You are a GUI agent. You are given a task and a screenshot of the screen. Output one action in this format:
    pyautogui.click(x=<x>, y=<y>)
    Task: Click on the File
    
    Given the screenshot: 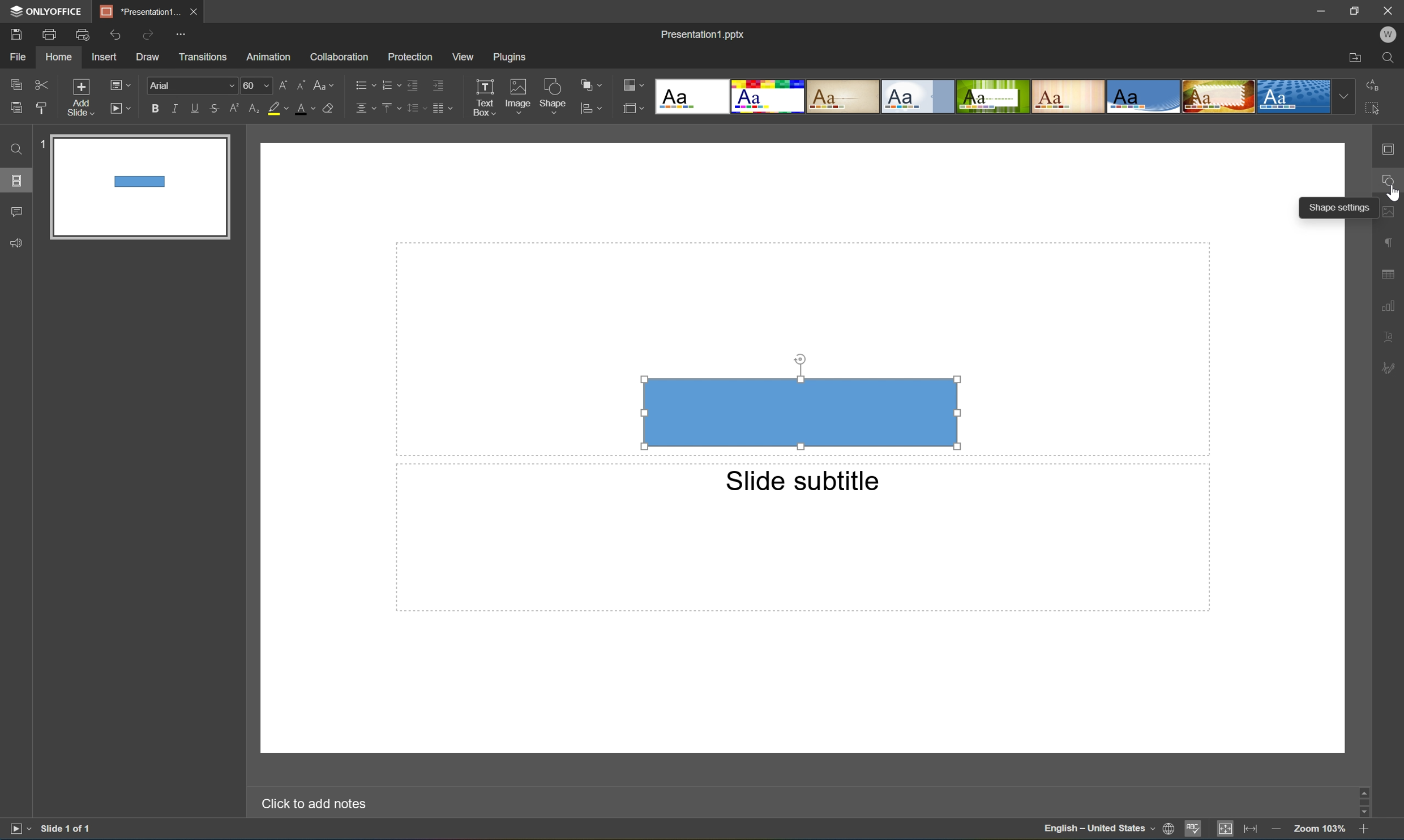 What is the action you would take?
    pyautogui.click(x=21, y=58)
    